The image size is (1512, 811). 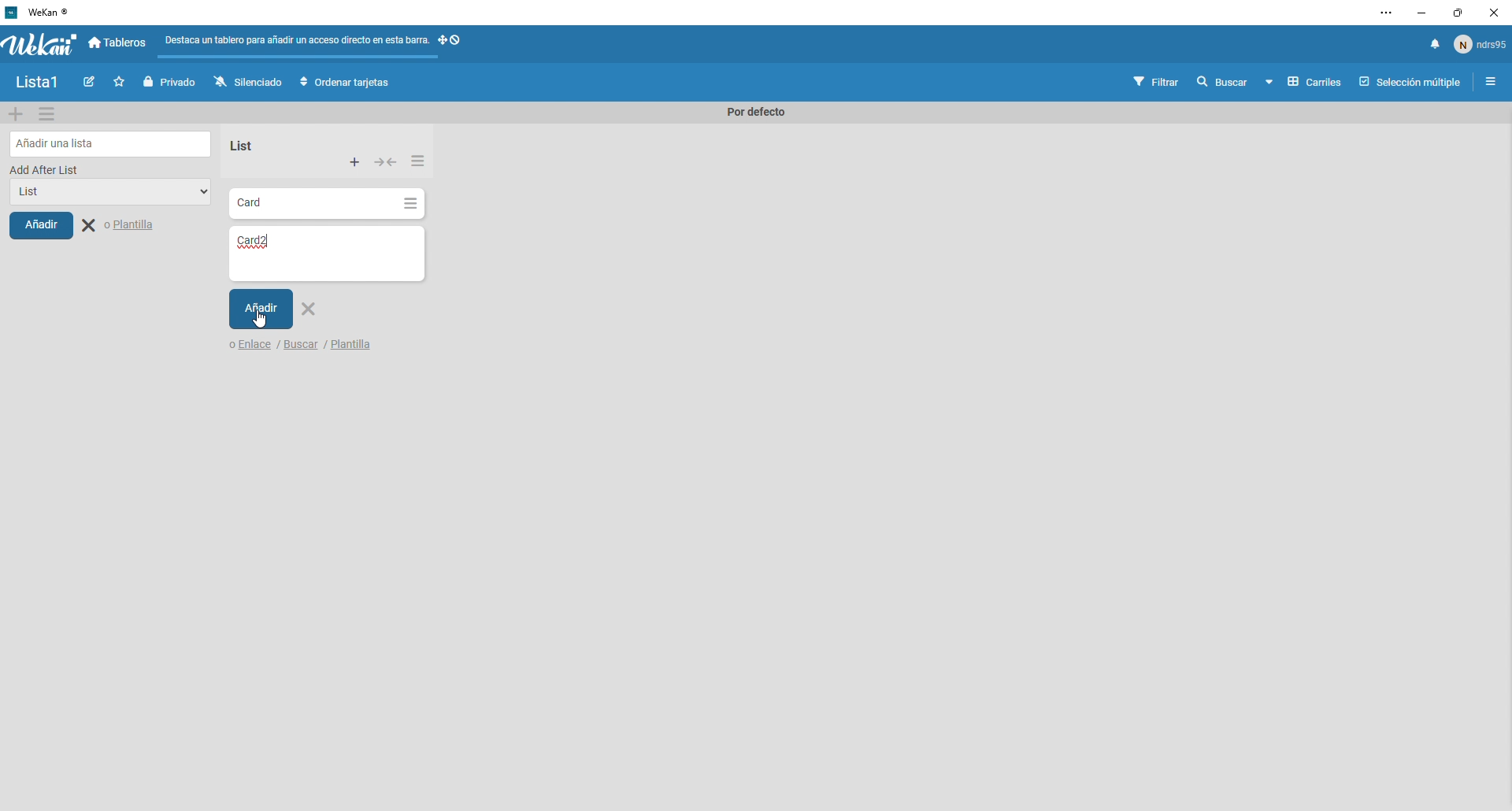 I want to click on Favourites, so click(x=121, y=82).